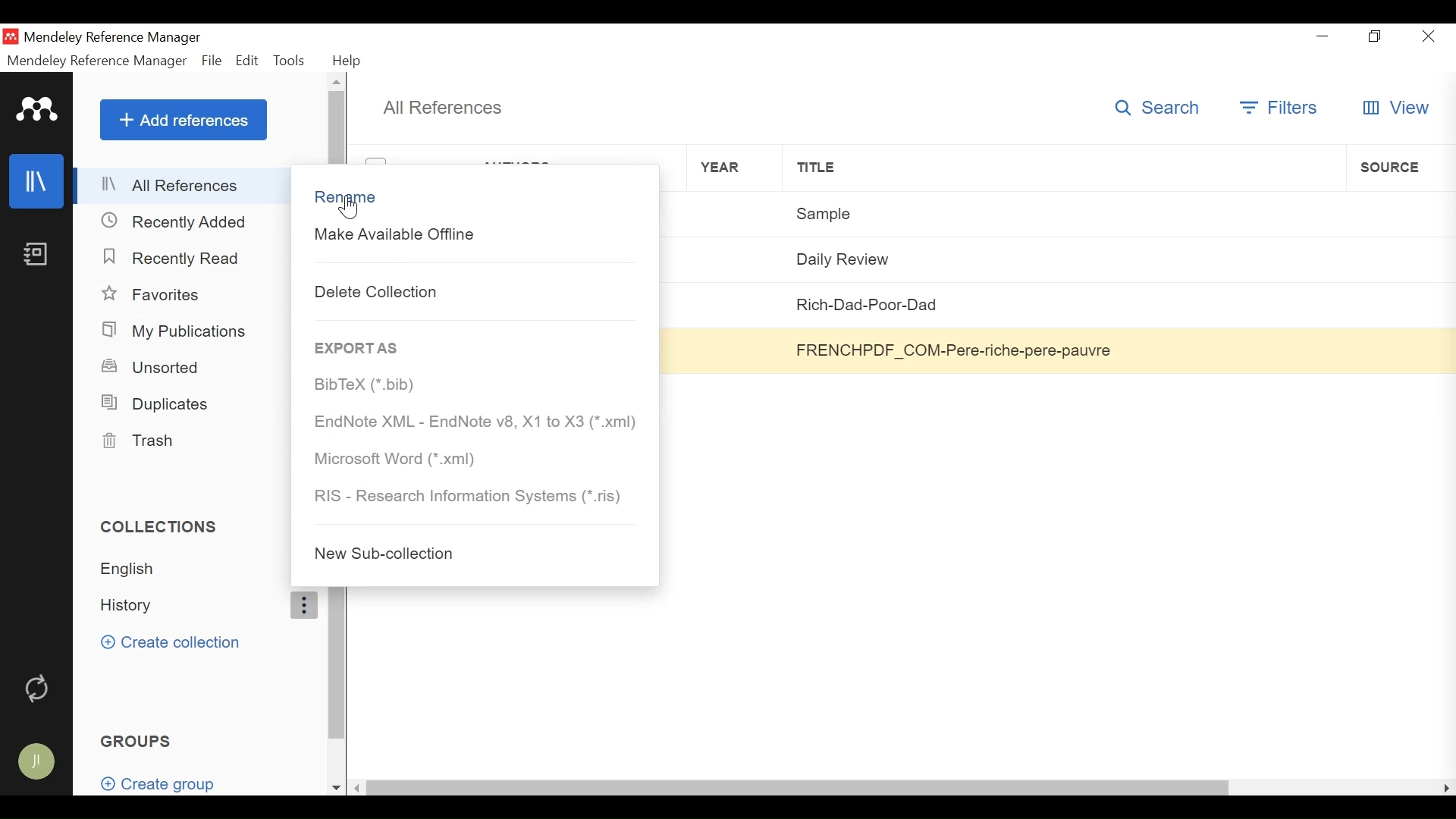 This screenshot has width=1456, height=819. Describe the element at coordinates (178, 331) in the screenshot. I see `My Publications` at that location.